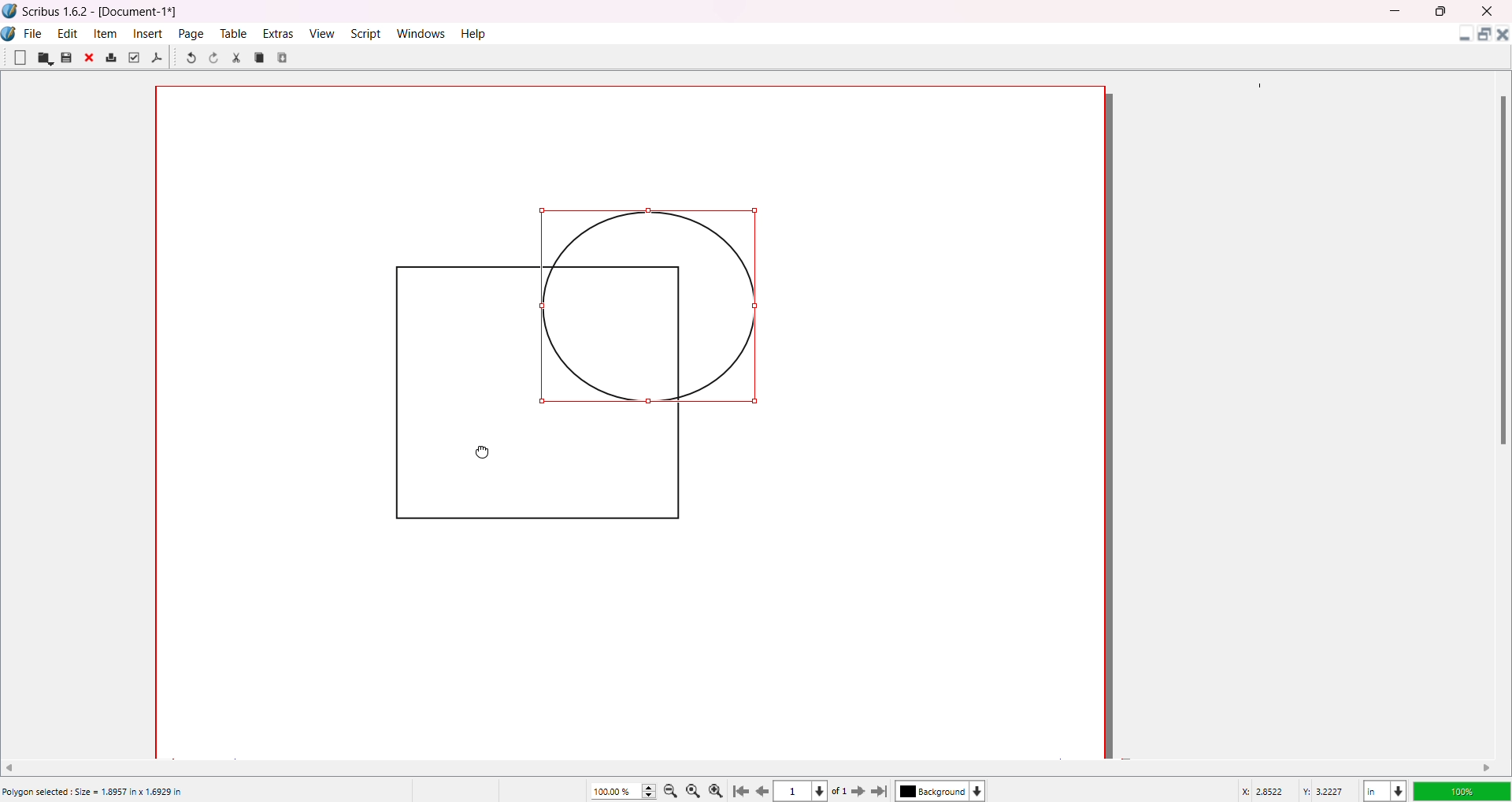 The height and width of the screenshot is (802, 1512). Describe the element at coordinates (862, 790) in the screenshot. I see `Next` at that location.